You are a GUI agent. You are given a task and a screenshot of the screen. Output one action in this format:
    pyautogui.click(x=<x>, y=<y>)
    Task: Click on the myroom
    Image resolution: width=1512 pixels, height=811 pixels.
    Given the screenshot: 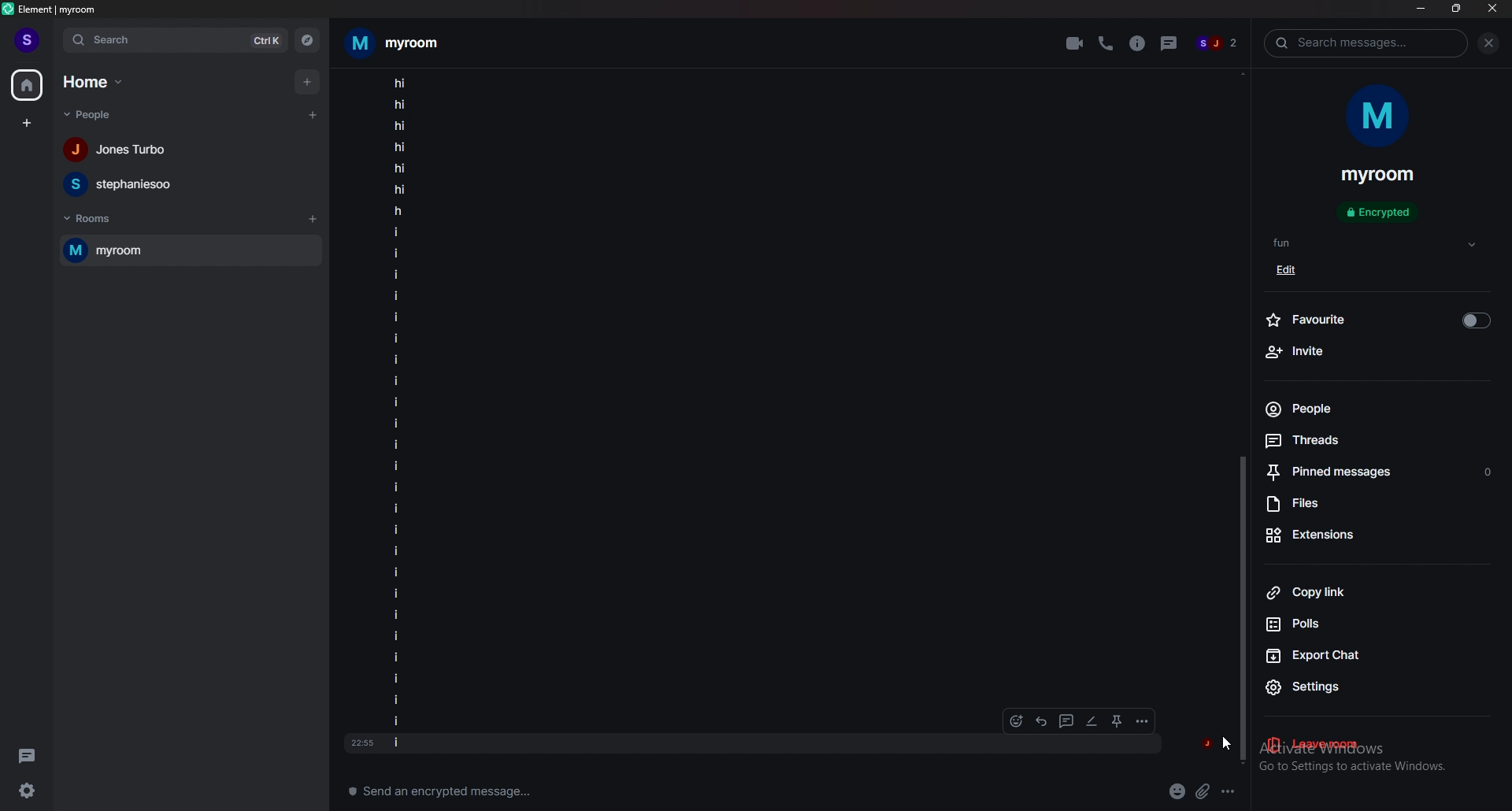 What is the action you would take?
    pyautogui.click(x=1375, y=177)
    